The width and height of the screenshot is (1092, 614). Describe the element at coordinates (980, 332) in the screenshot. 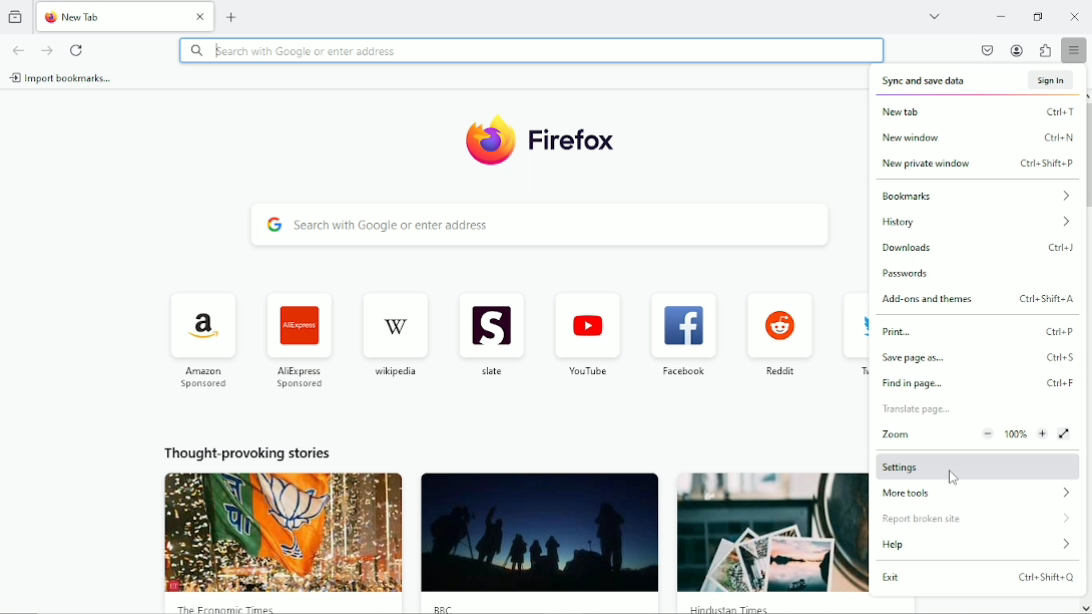

I see `Print...  Ctrl+P` at that location.